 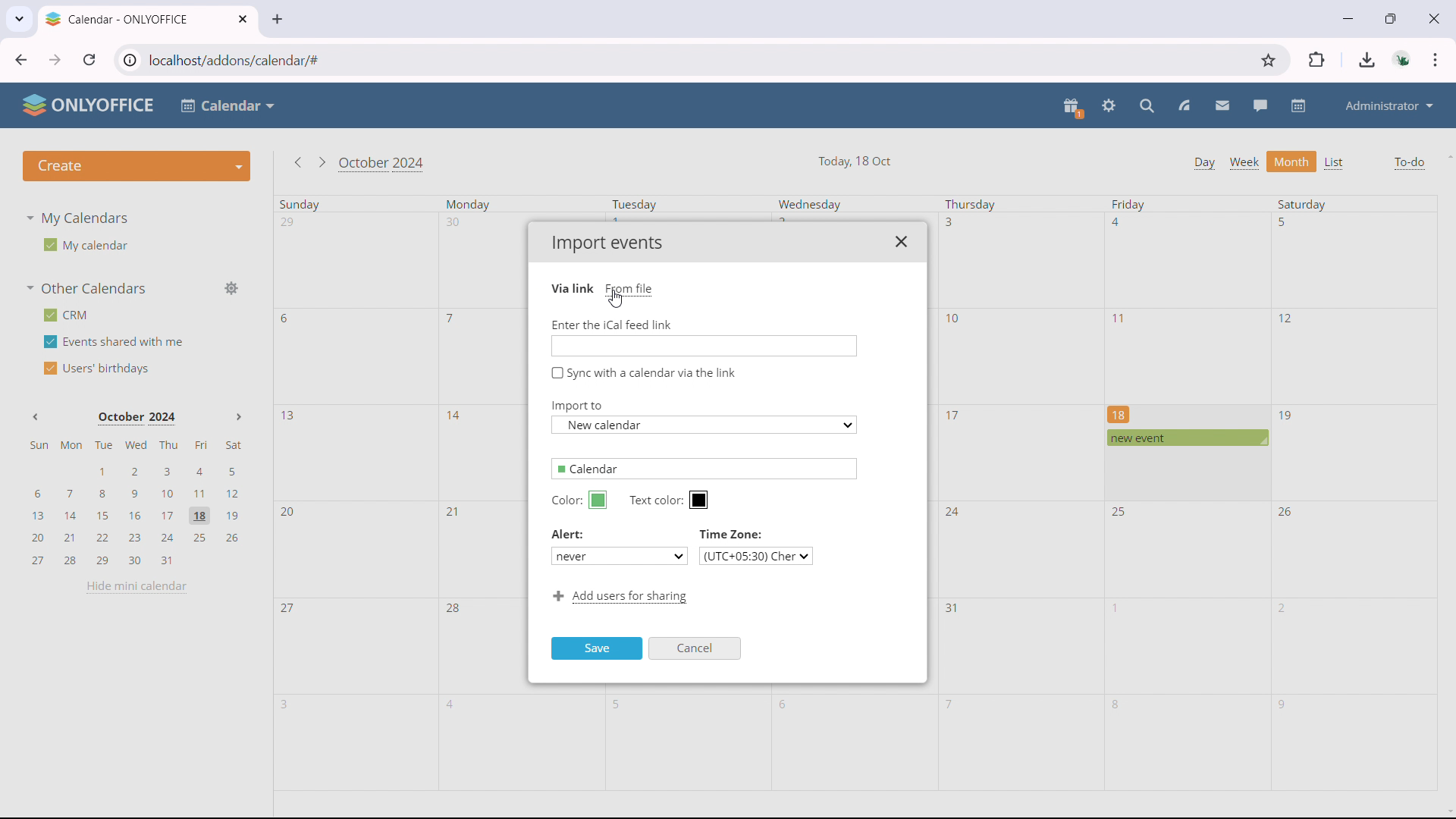 What do you see at coordinates (1335, 163) in the screenshot?
I see `list` at bounding box center [1335, 163].